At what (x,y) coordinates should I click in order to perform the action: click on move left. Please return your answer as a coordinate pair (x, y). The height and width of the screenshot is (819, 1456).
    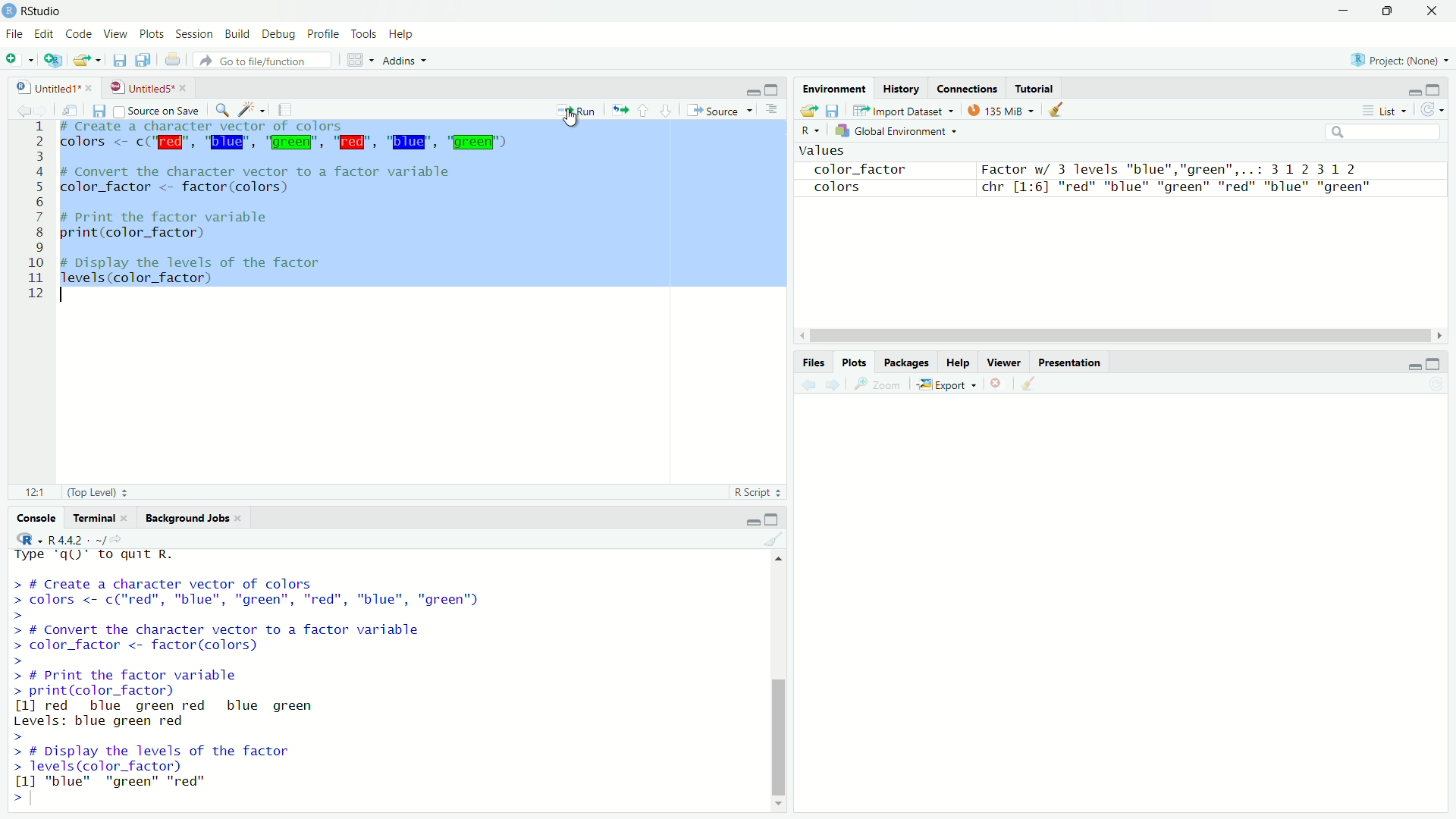
    Looking at the image, I should click on (803, 336).